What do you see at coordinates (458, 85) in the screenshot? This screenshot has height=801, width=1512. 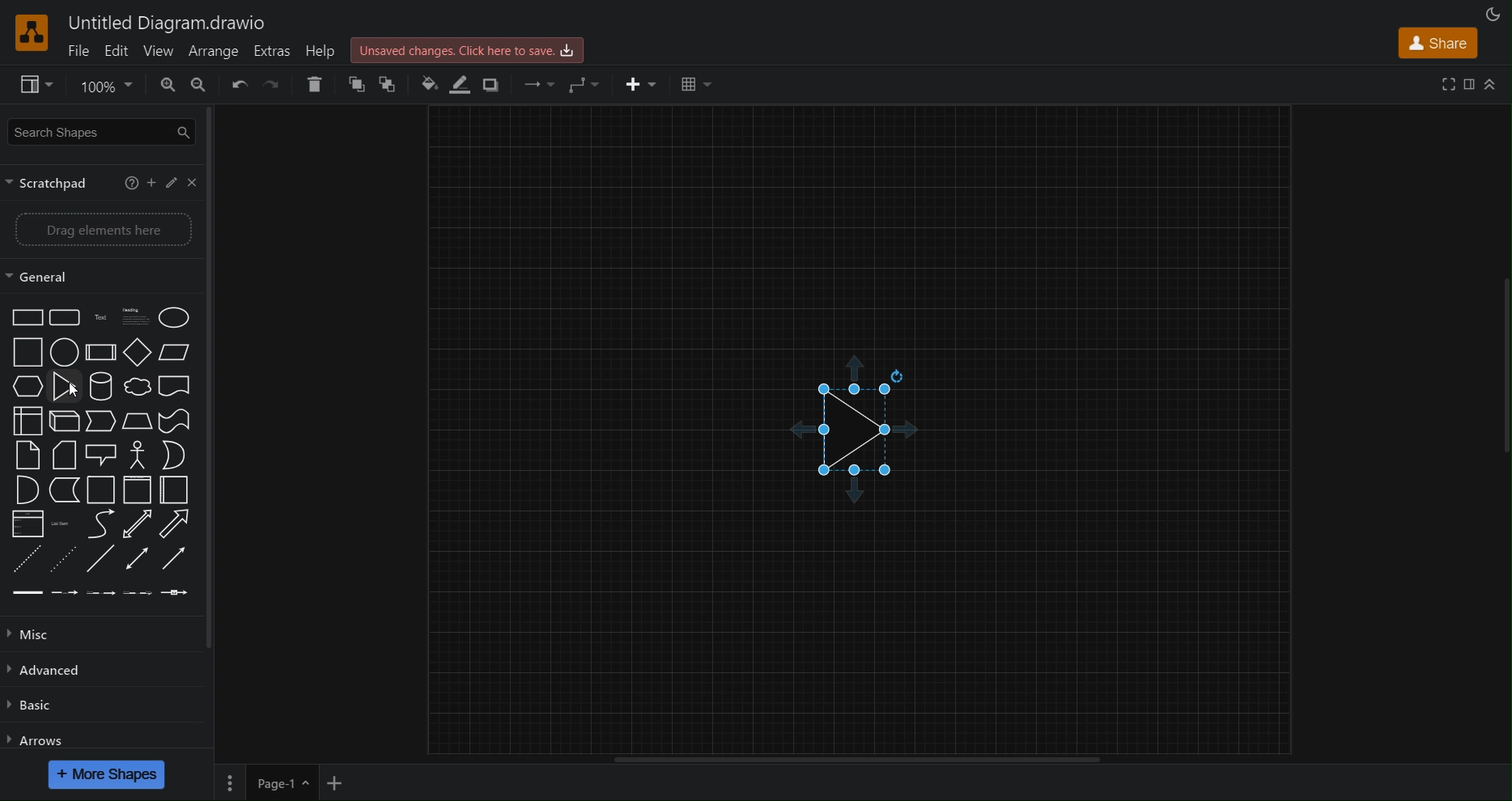 I see `Line Color` at bounding box center [458, 85].